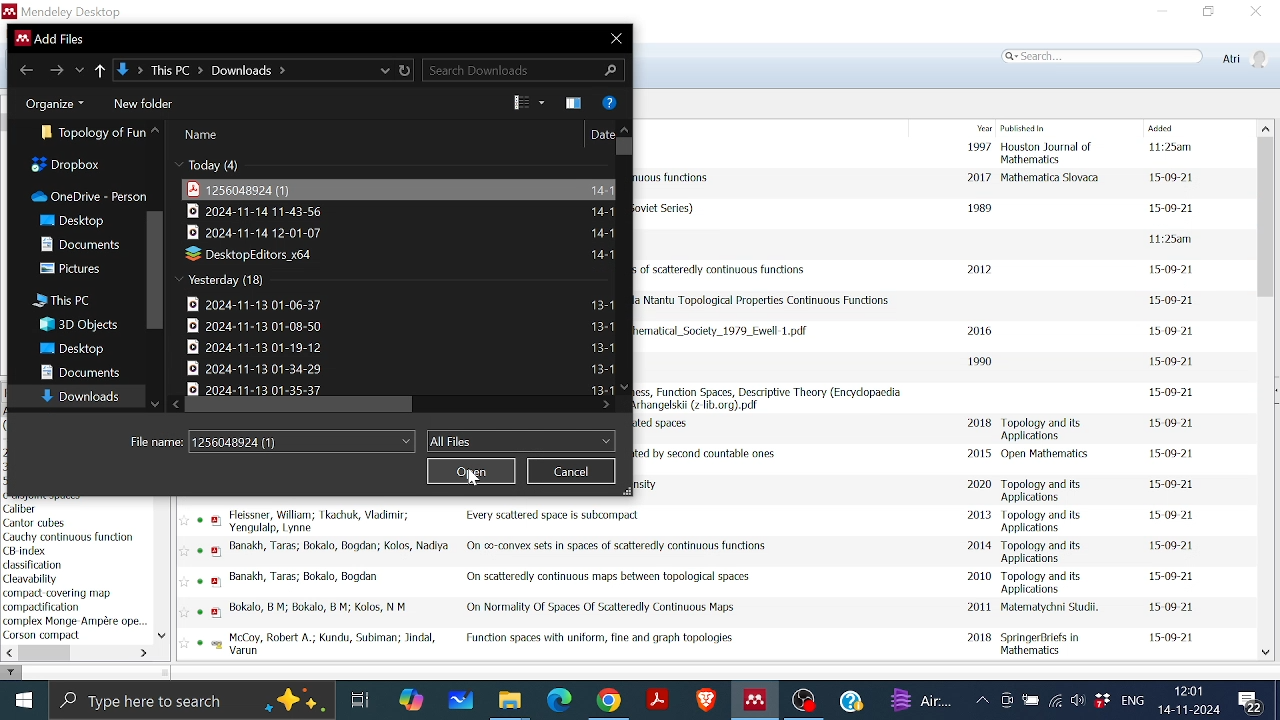 Image resolution: width=1280 pixels, height=720 pixels. I want to click on Move right in all files, so click(606, 406).